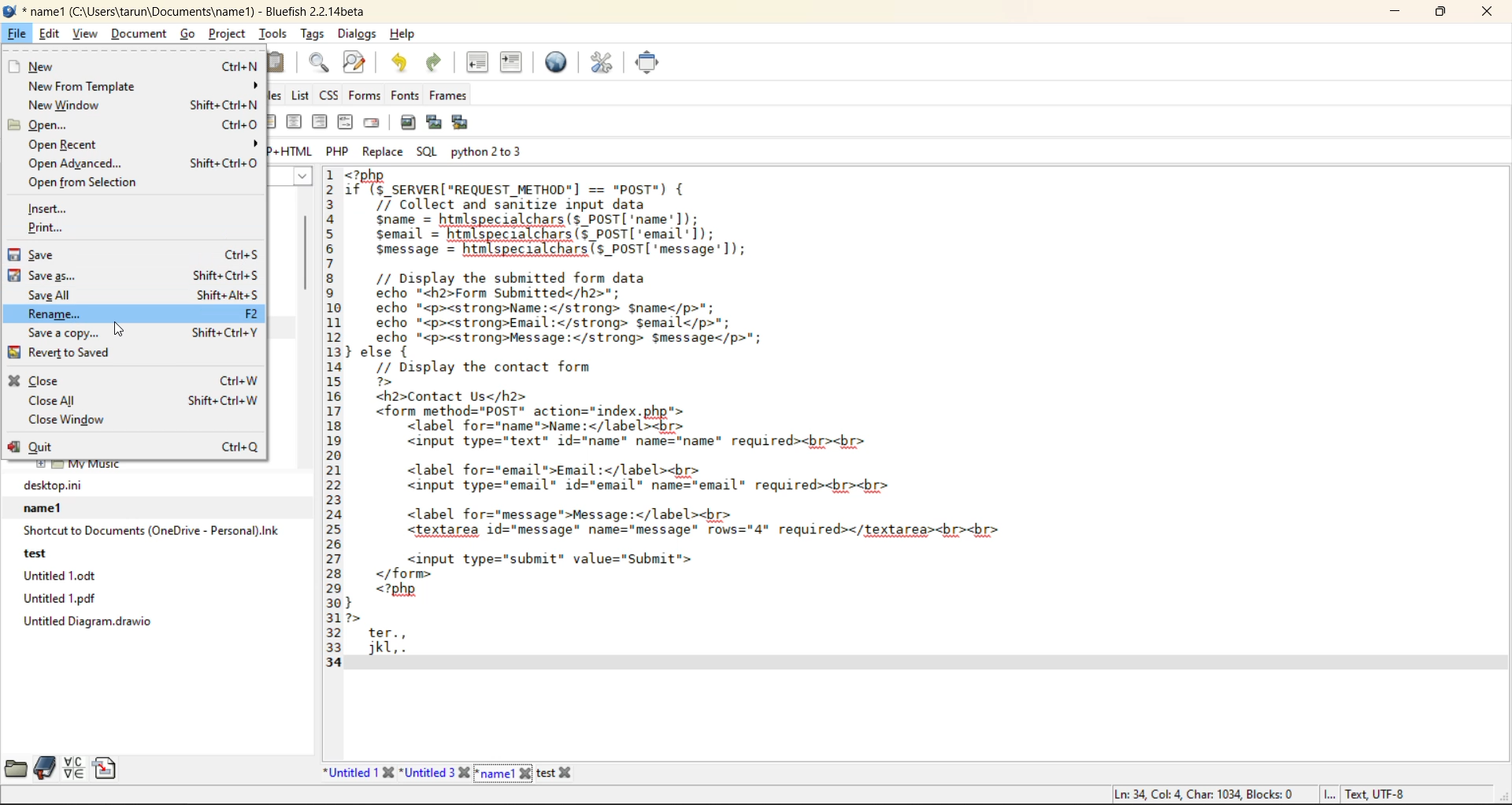 This screenshot has height=805, width=1512. I want to click on document, so click(140, 35).